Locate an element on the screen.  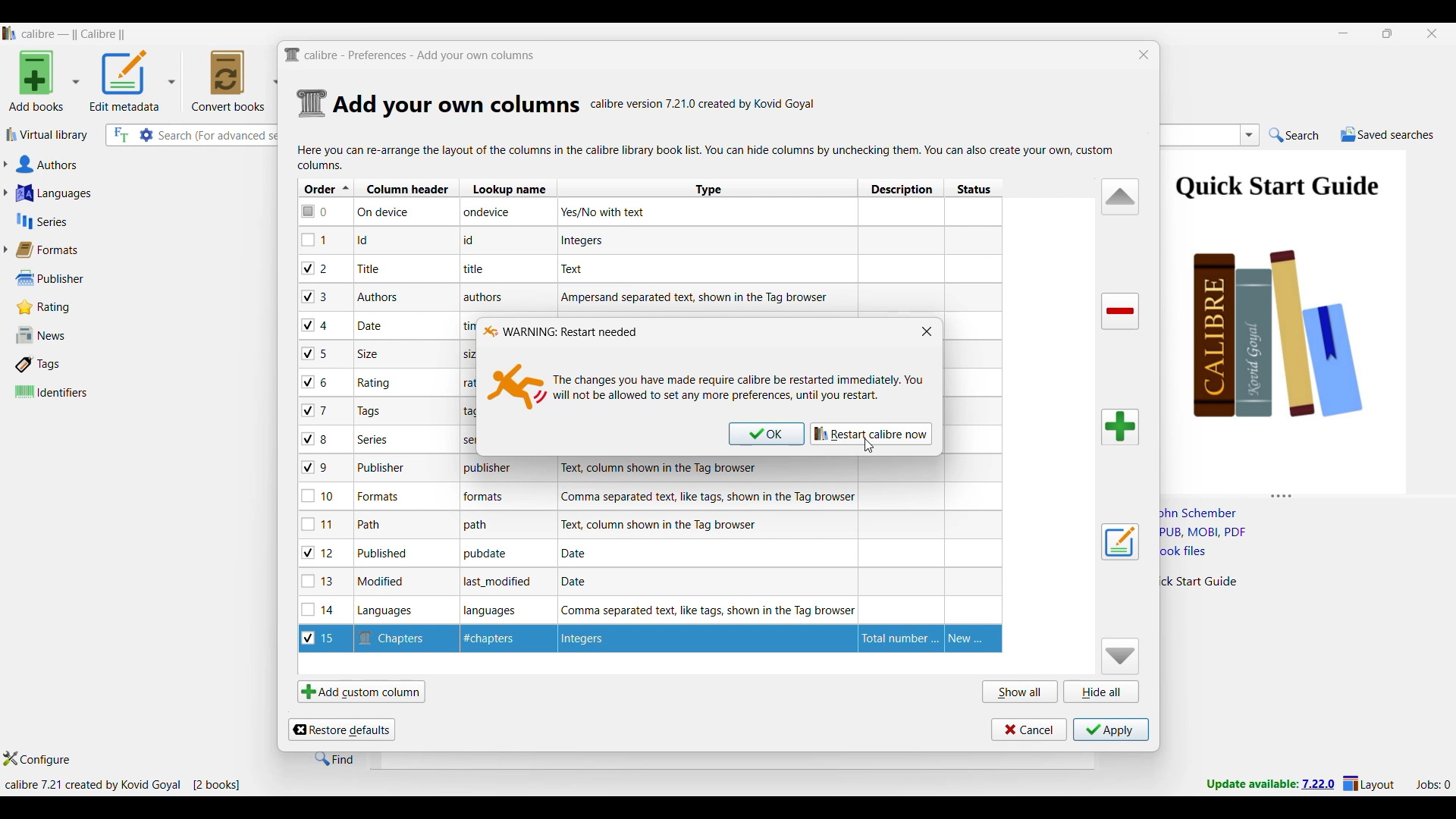
Section details is located at coordinates (457, 105).